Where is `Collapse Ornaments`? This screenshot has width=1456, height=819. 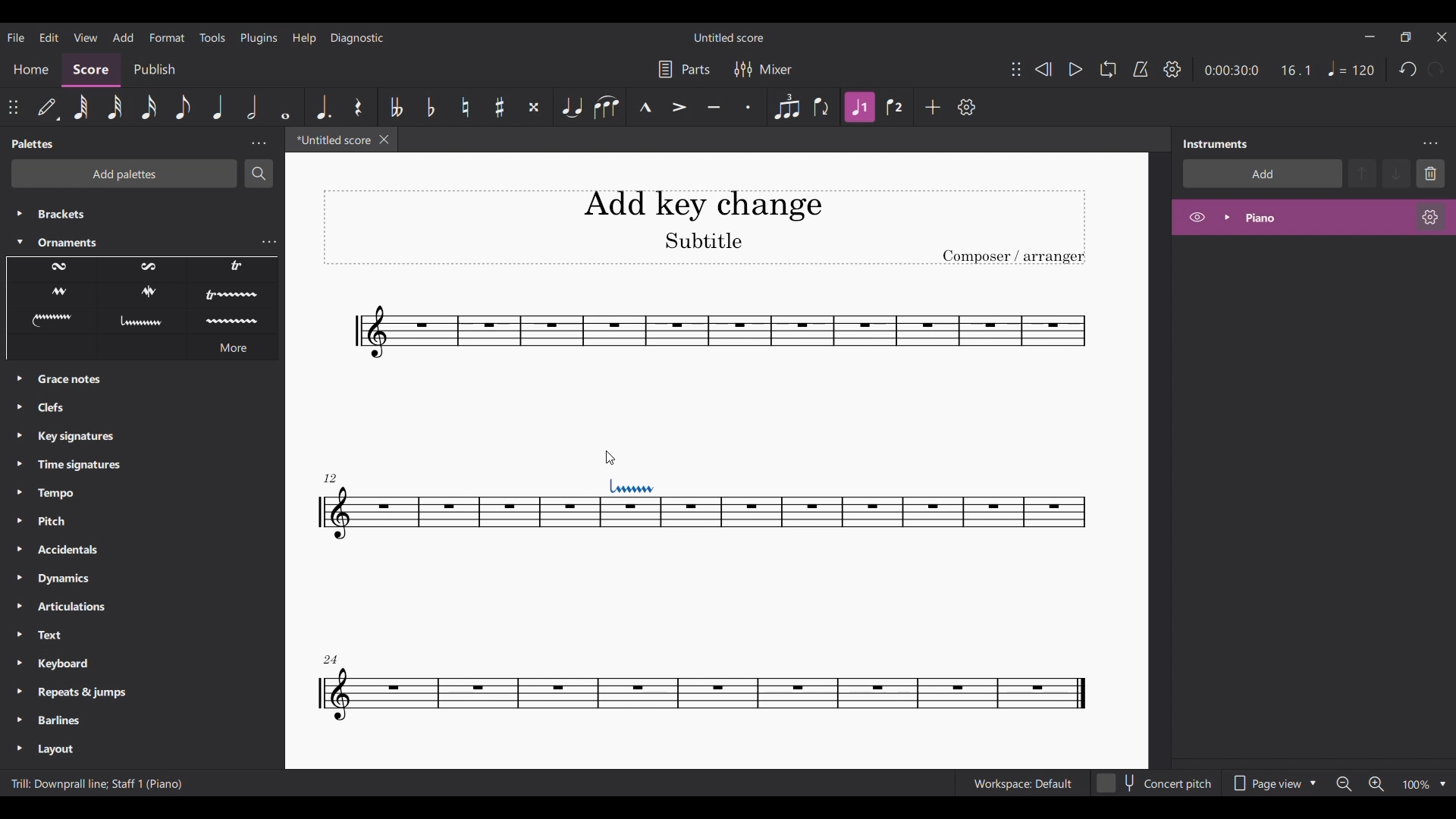 Collapse Ornaments is located at coordinates (20, 242).